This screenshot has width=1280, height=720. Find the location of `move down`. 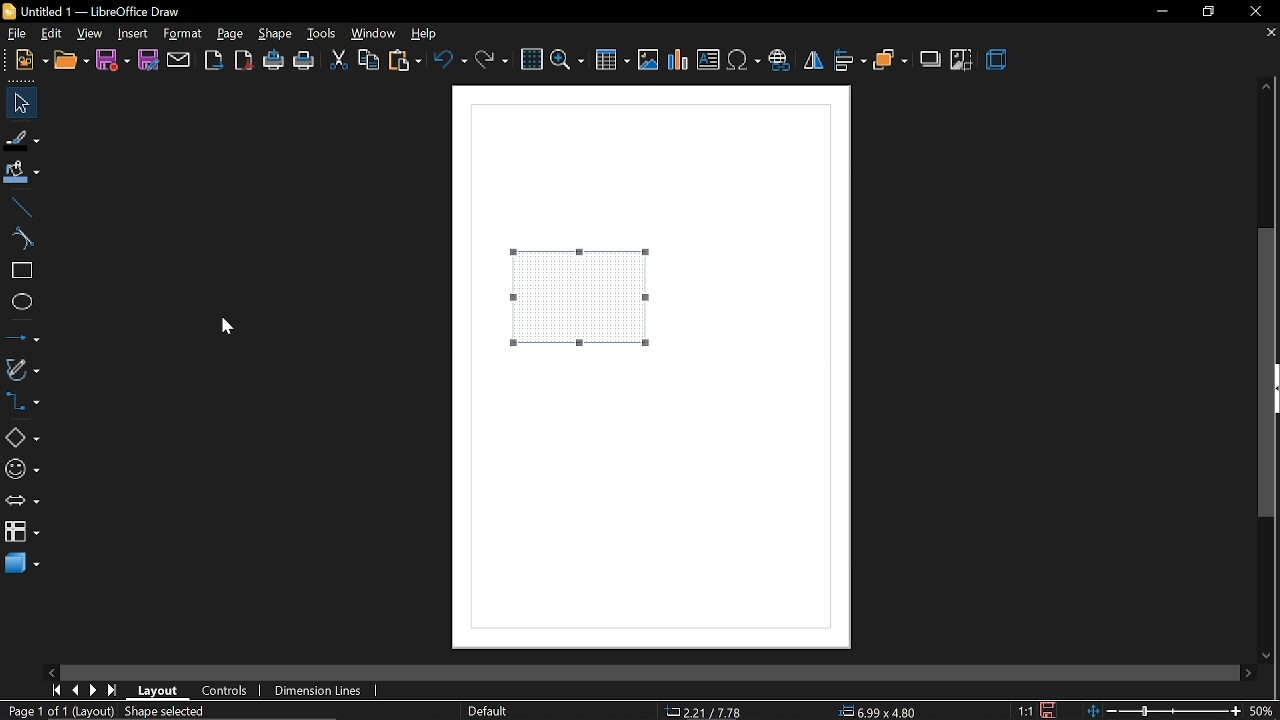

move down is located at coordinates (1270, 653).